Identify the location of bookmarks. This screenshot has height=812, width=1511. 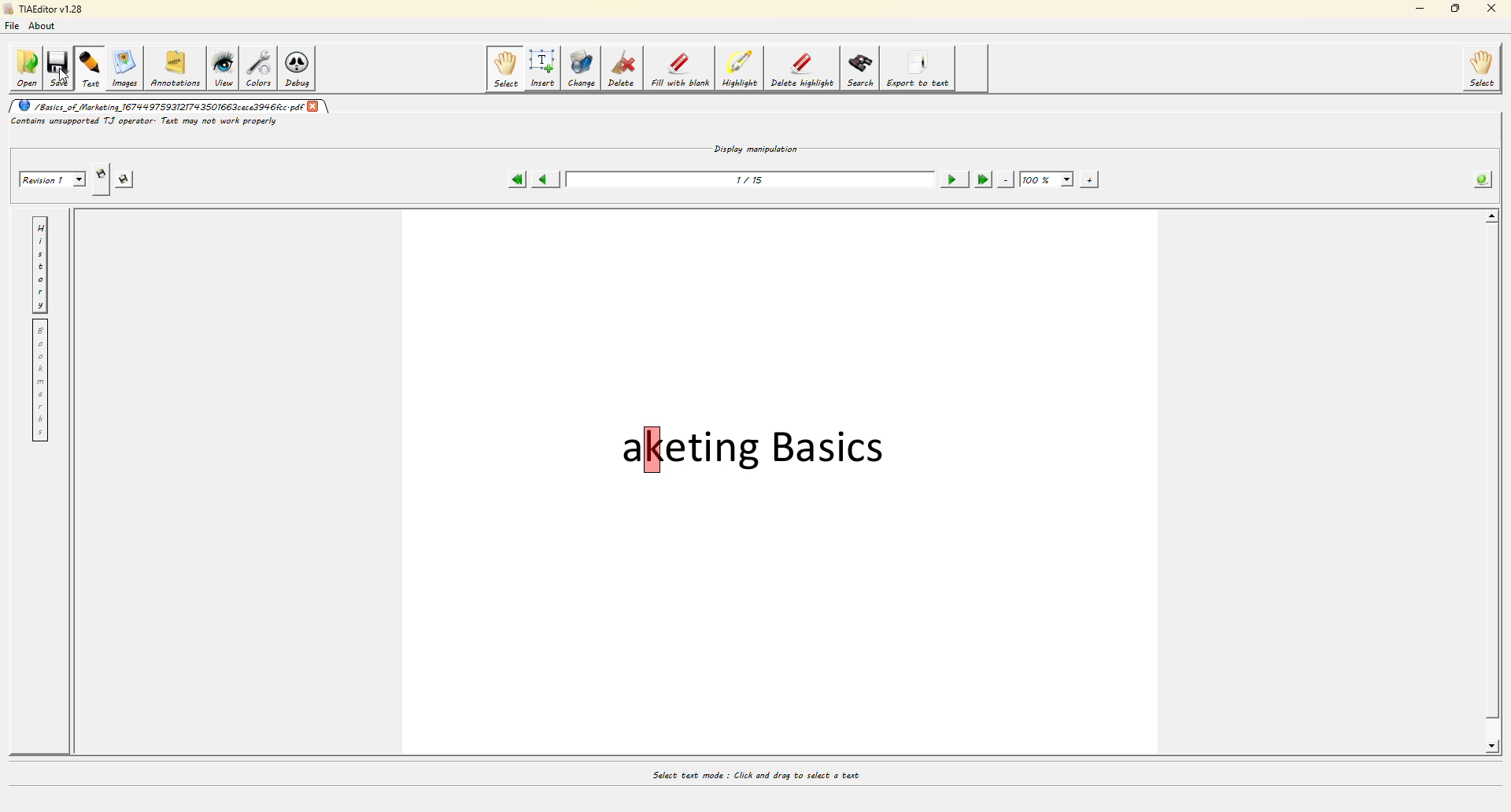
(39, 381).